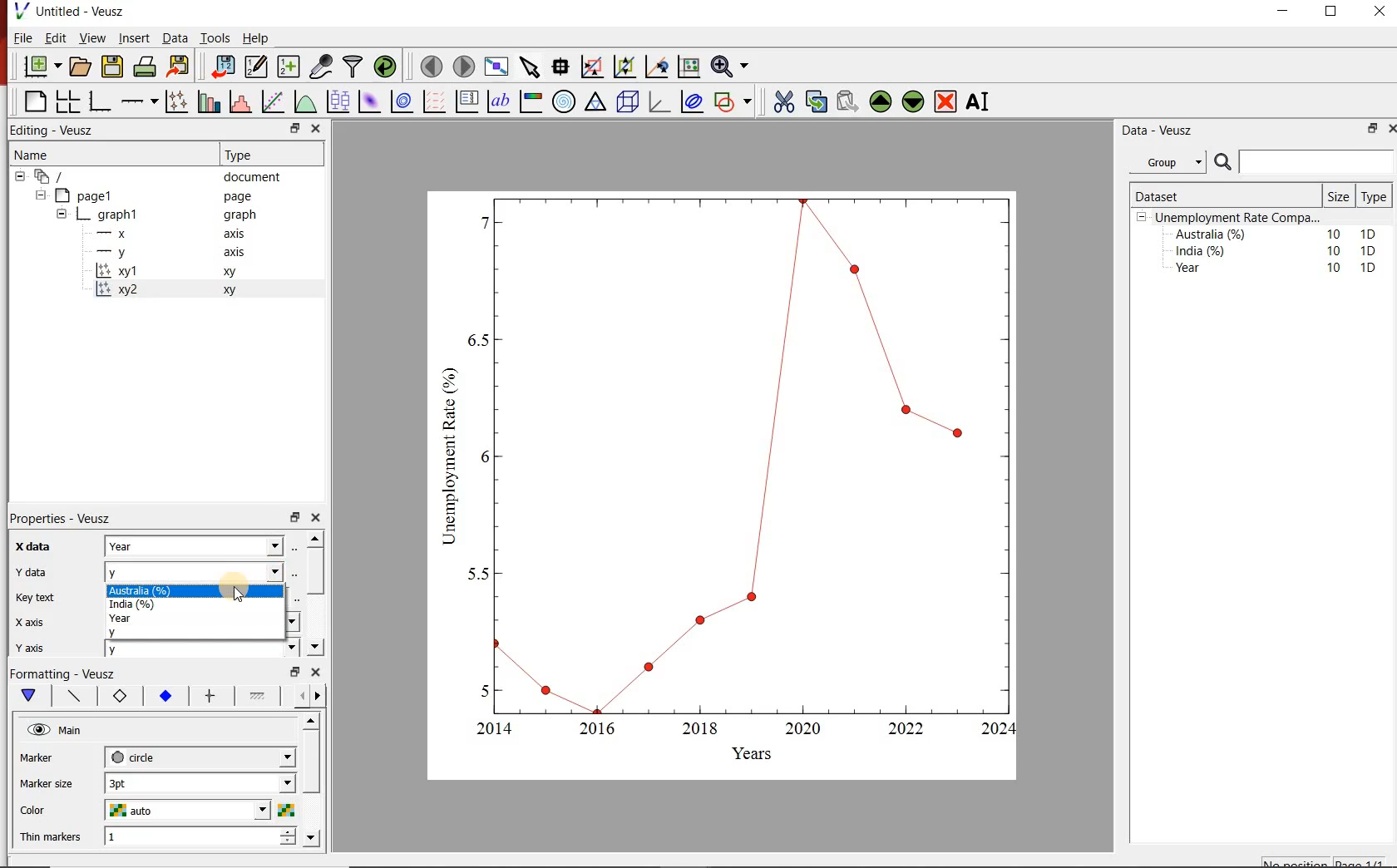 This screenshot has height=868, width=1397. Describe the element at coordinates (1281, 269) in the screenshot. I see `Year 10 1D` at that location.